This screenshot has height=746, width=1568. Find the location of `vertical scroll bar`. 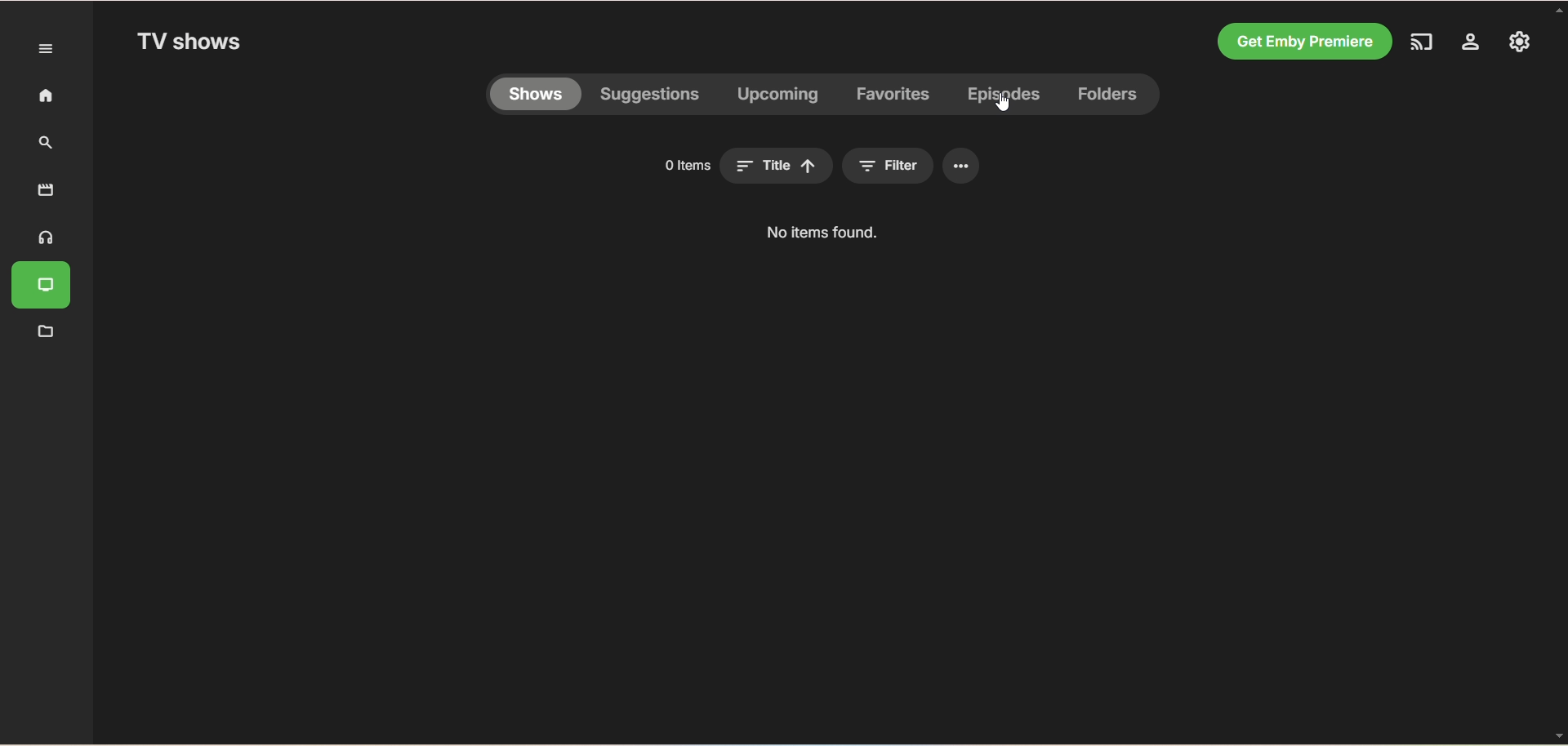

vertical scroll bar is located at coordinates (1558, 373).